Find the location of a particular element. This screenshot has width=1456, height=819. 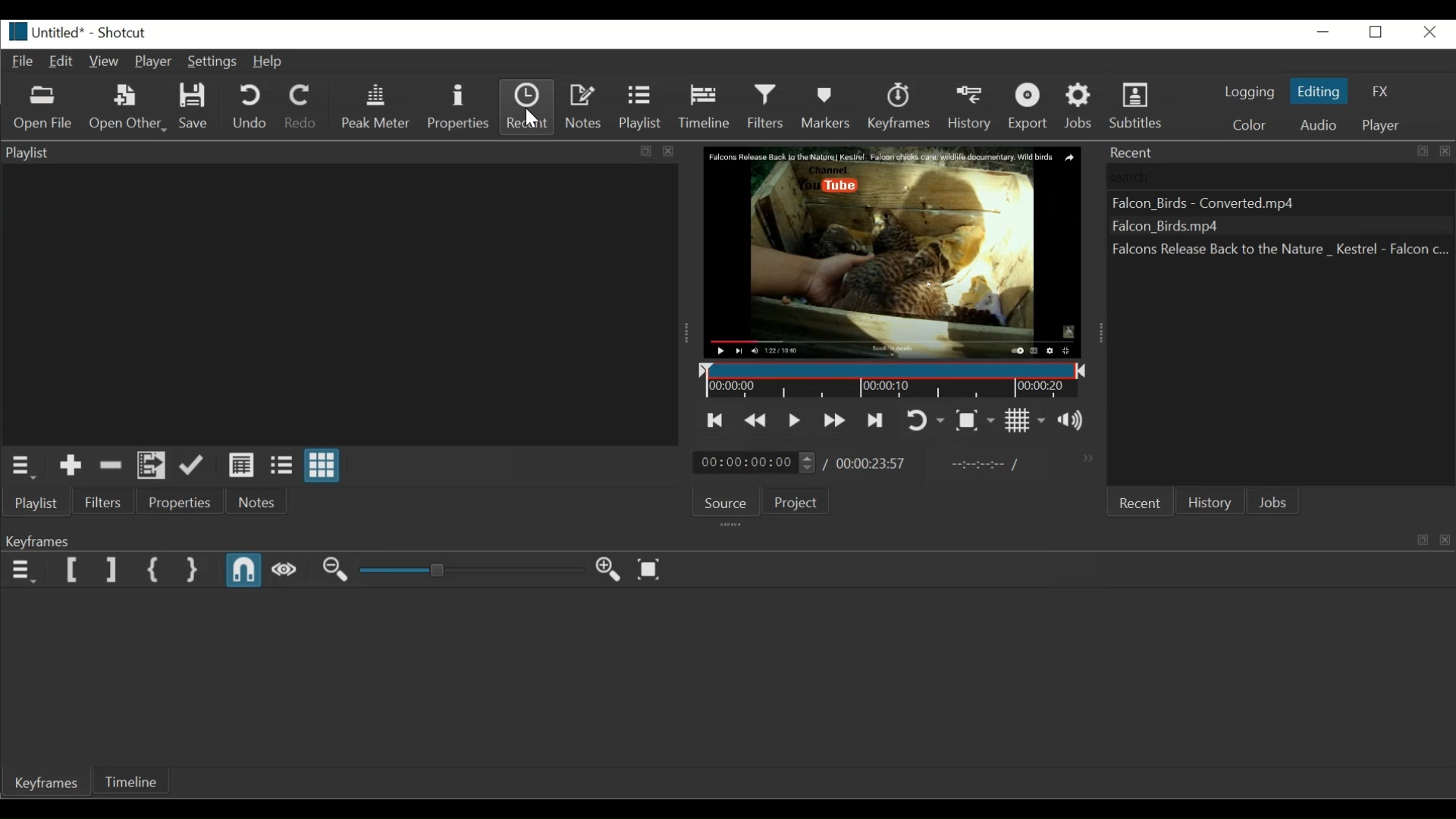

Keyframes is located at coordinates (903, 106).